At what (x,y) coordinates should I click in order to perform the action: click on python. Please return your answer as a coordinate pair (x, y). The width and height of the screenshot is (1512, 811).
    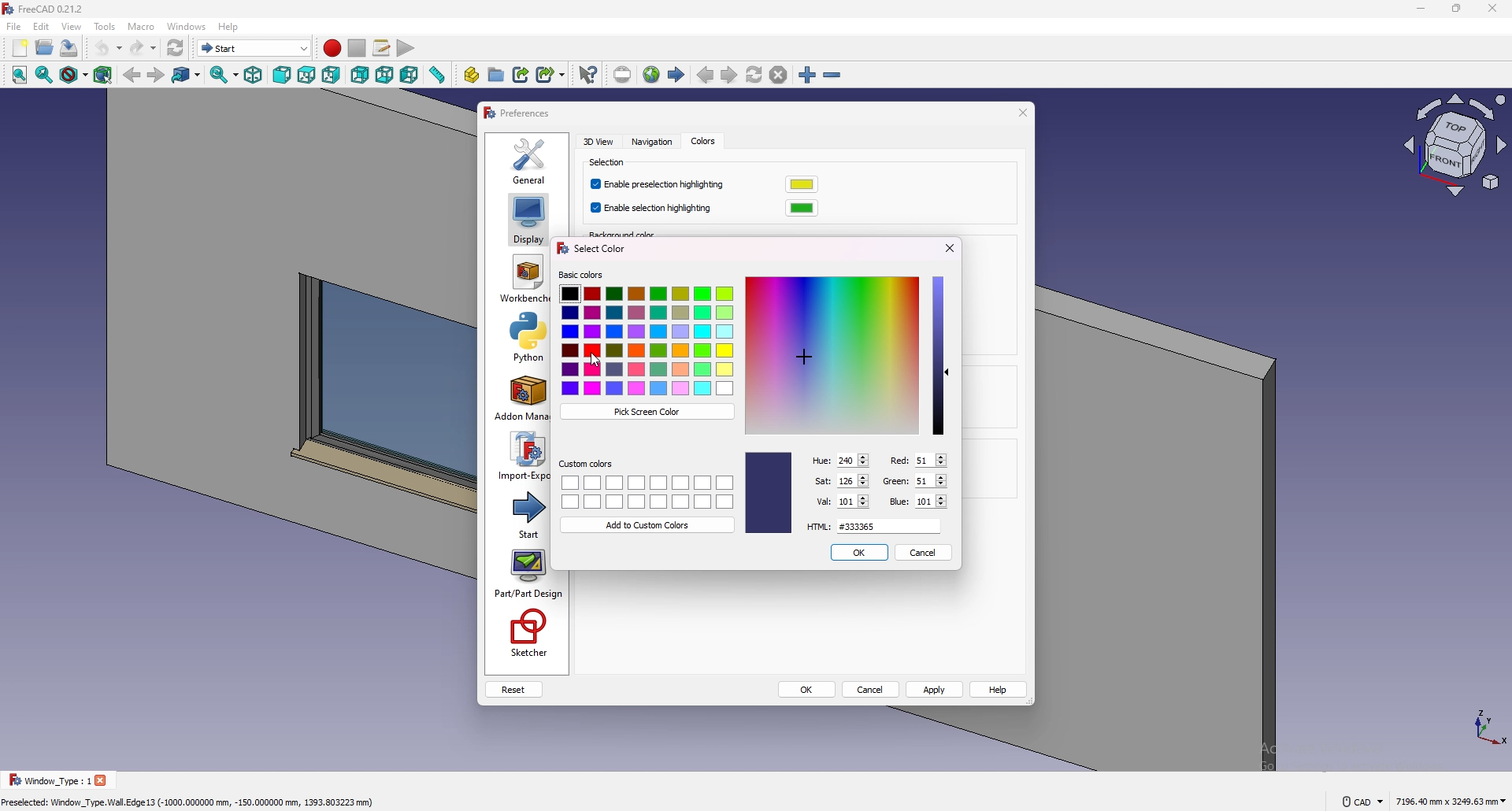
    Looking at the image, I should click on (521, 337).